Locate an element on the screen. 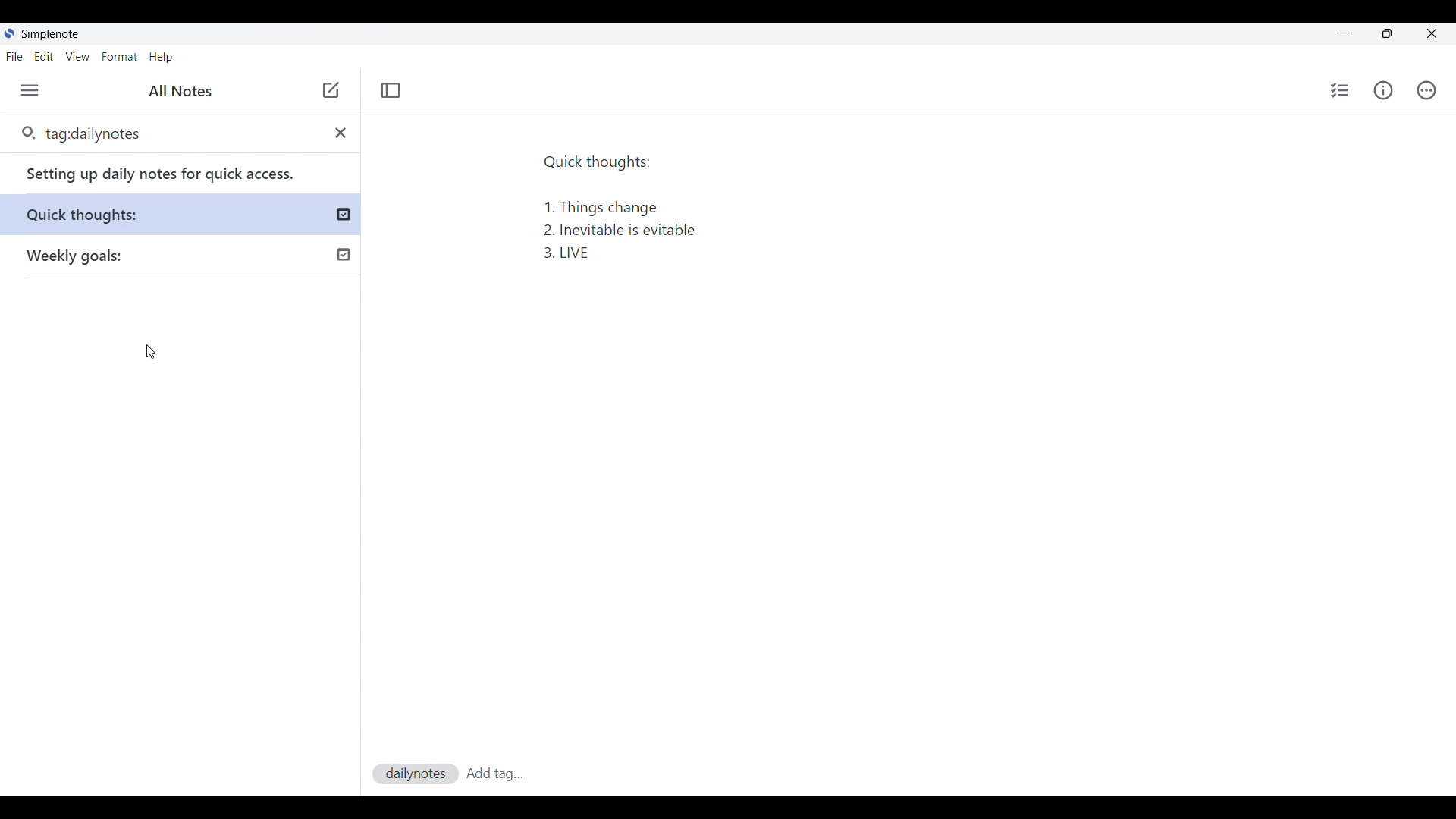 The image size is (1456, 819). Info is located at coordinates (1382, 91).